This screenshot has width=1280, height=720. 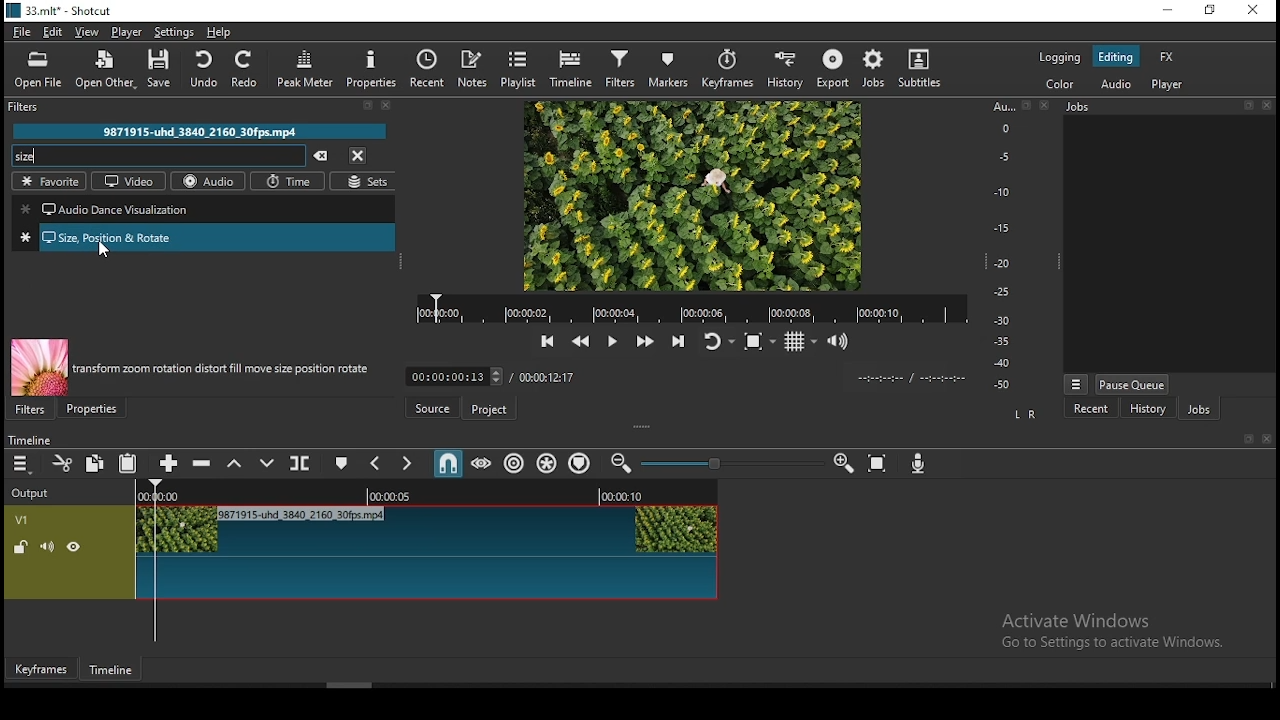 I want to click on search filters, so click(x=160, y=156).